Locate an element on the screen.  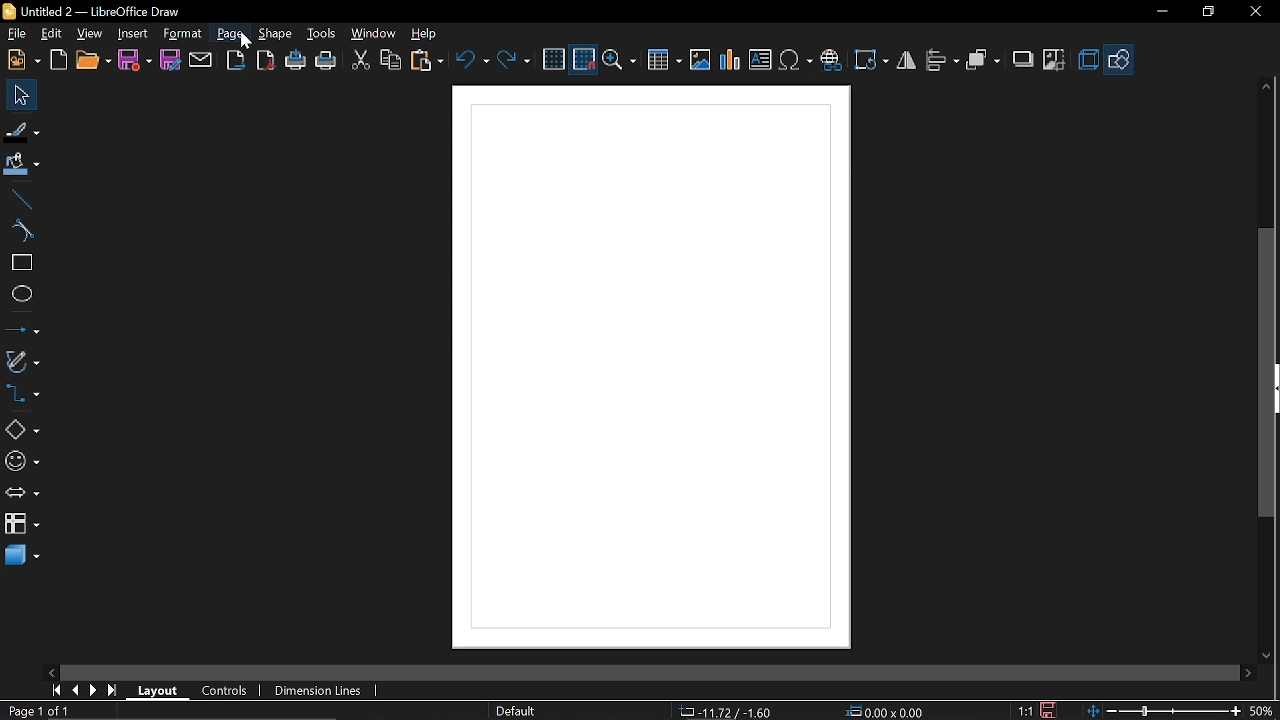
Copy is located at coordinates (392, 62).